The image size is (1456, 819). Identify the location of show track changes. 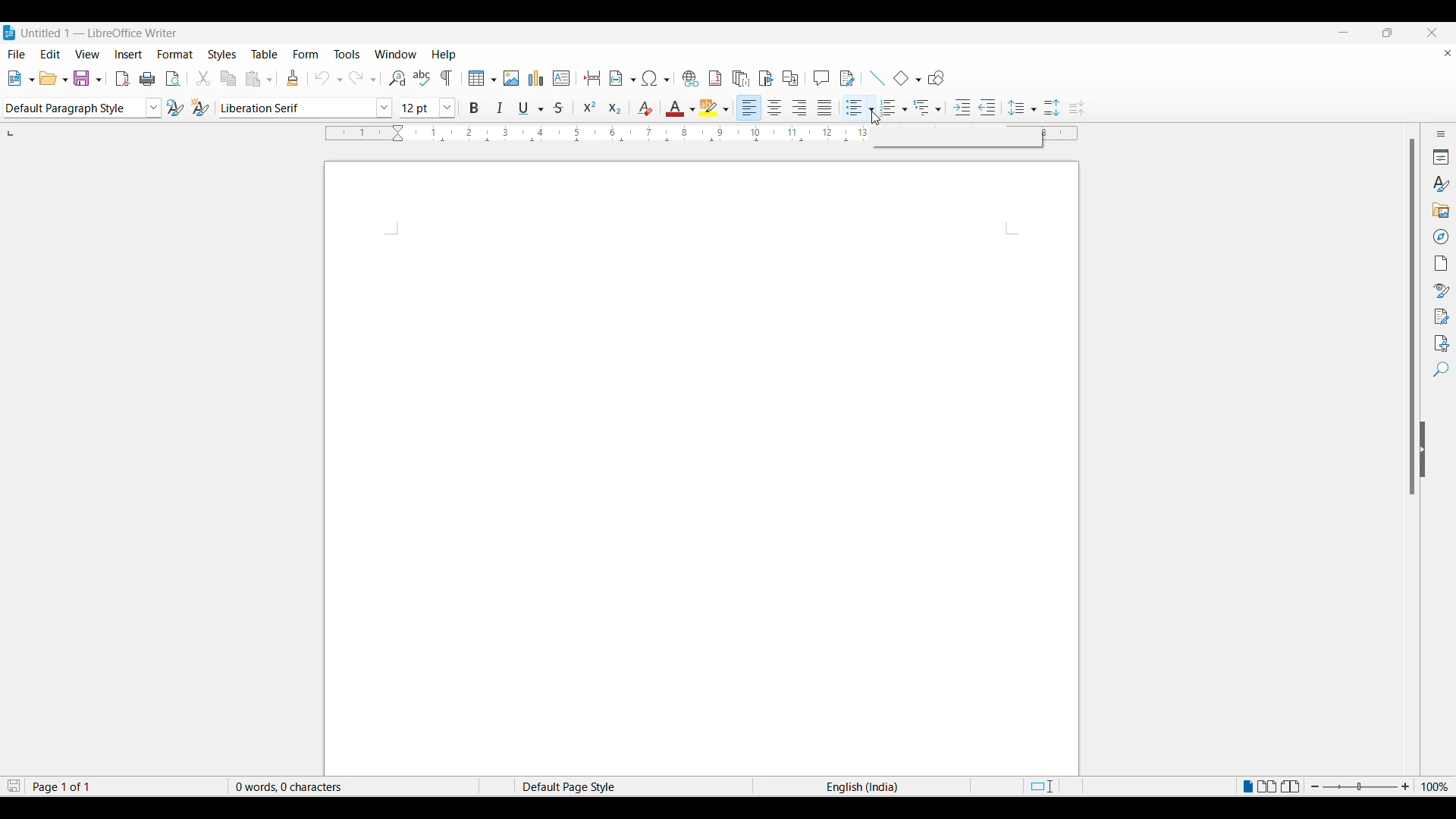
(849, 78).